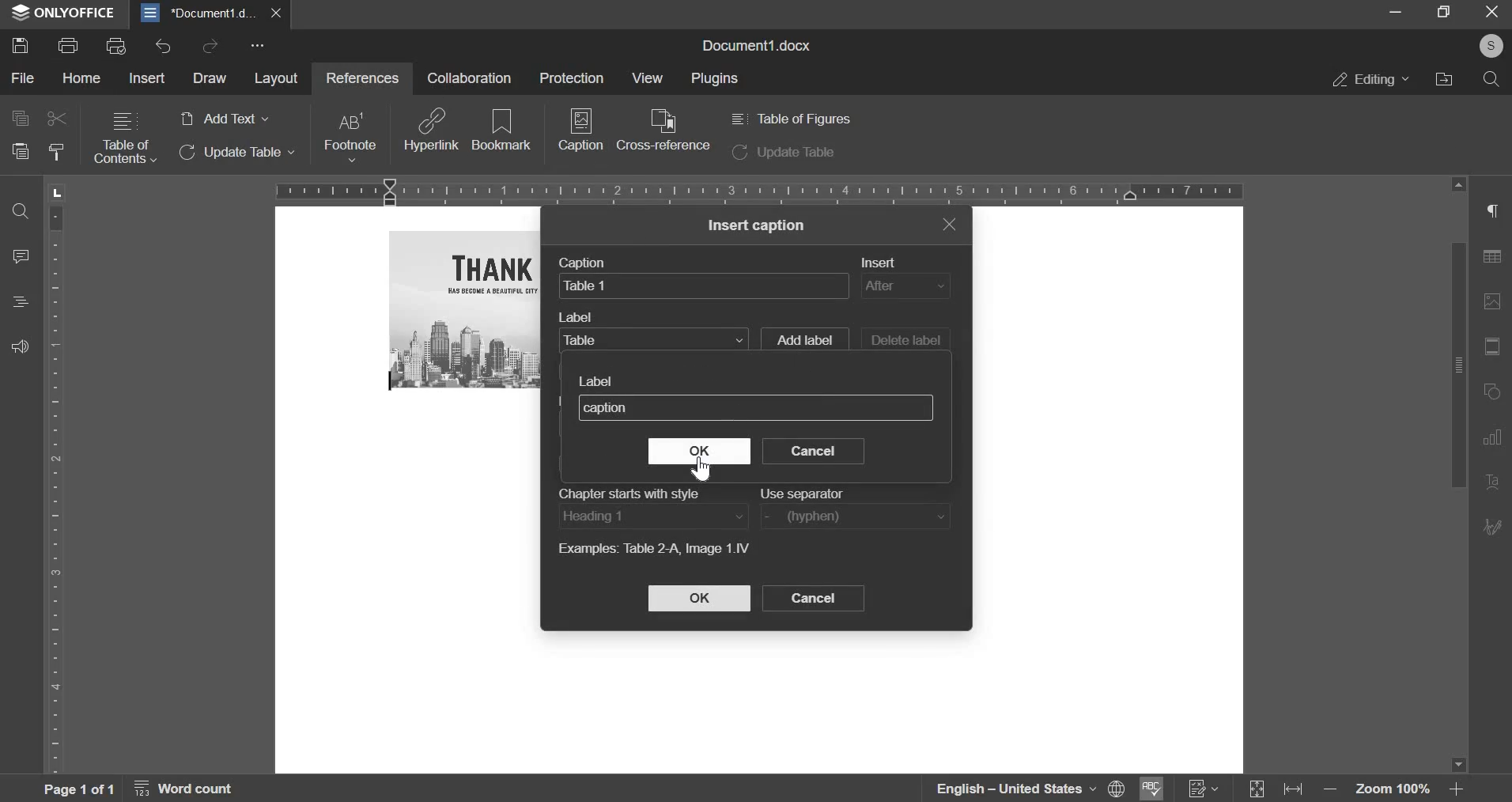 This screenshot has width=1512, height=802. What do you see at coordinates (813, 598) in the screenshot?
I see `cancel` at bounding box center [813, 598].